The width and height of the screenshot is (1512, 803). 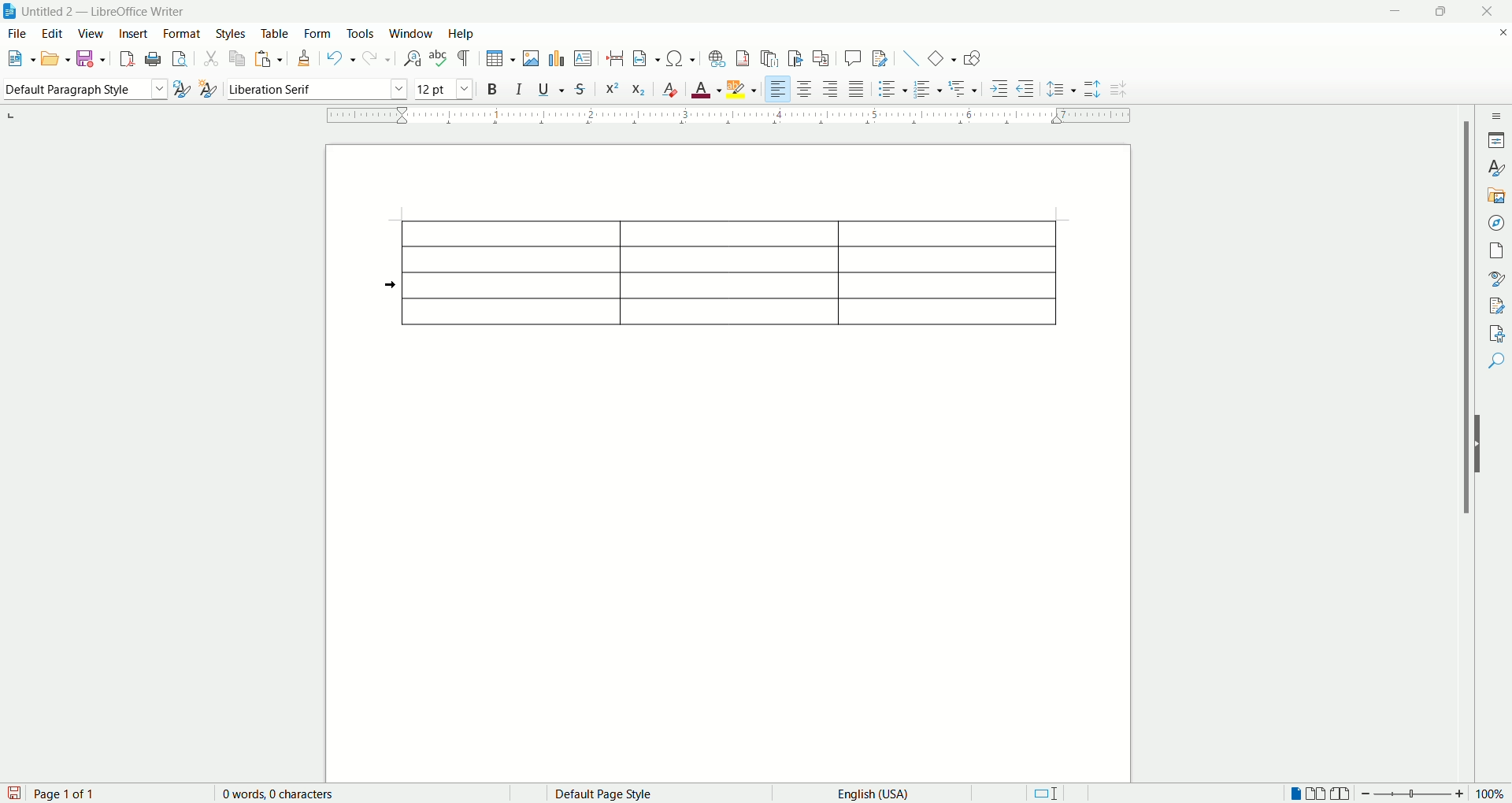 What do you see at coordinates (1025, 88) in the screenshot?
I see `decrease indent` at bounding box center [1025, 88].